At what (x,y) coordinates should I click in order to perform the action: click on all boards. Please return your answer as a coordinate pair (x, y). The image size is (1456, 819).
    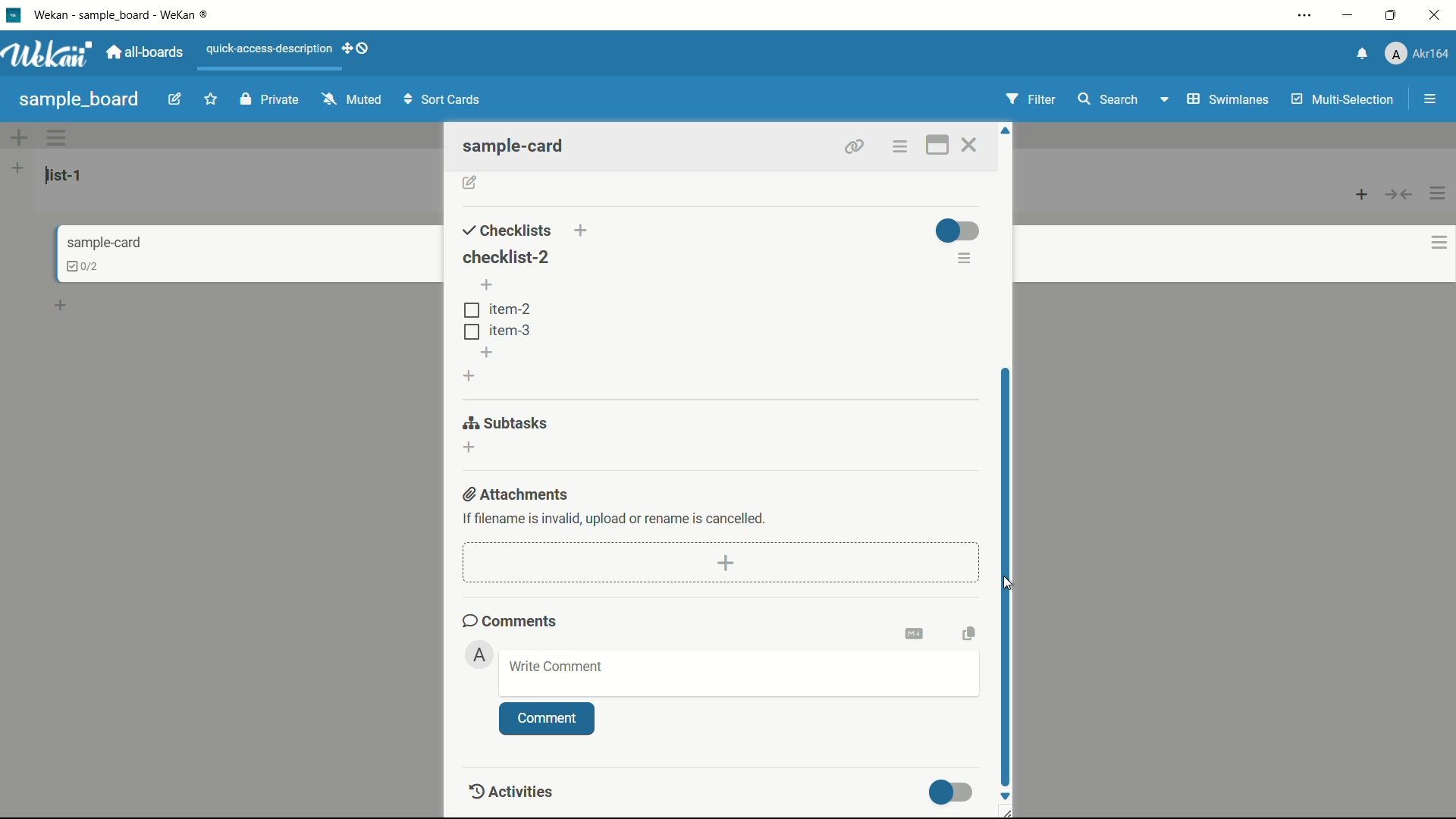
    Looking at the image, I should click on (149, 52).